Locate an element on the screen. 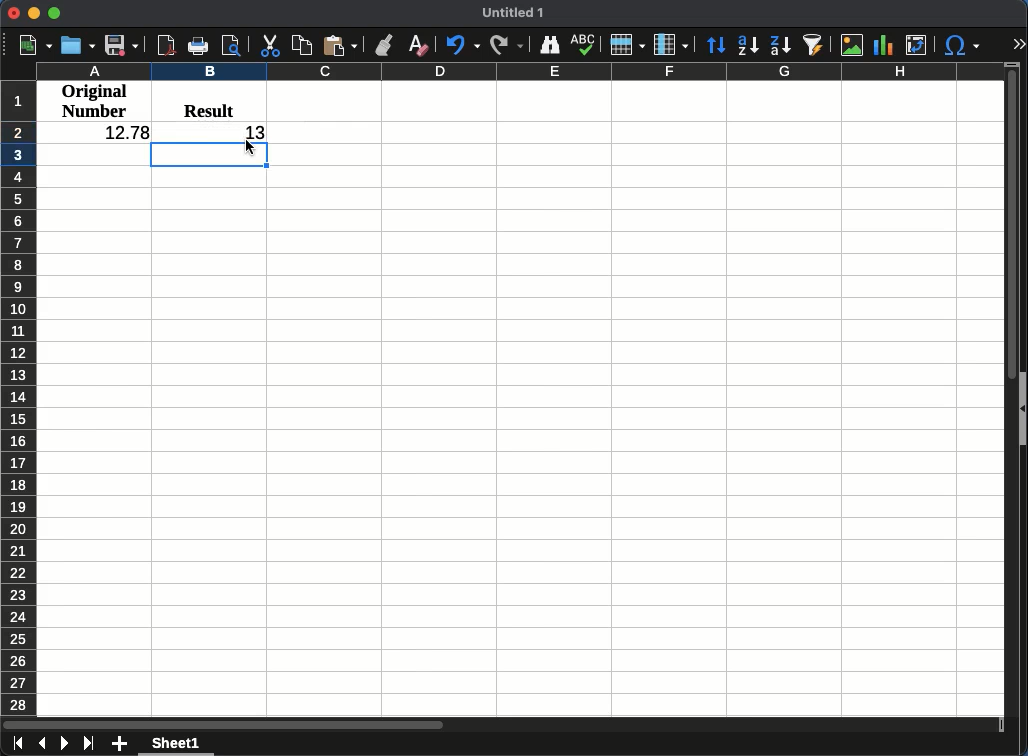  scroll is located at coordinates (1006, 387).